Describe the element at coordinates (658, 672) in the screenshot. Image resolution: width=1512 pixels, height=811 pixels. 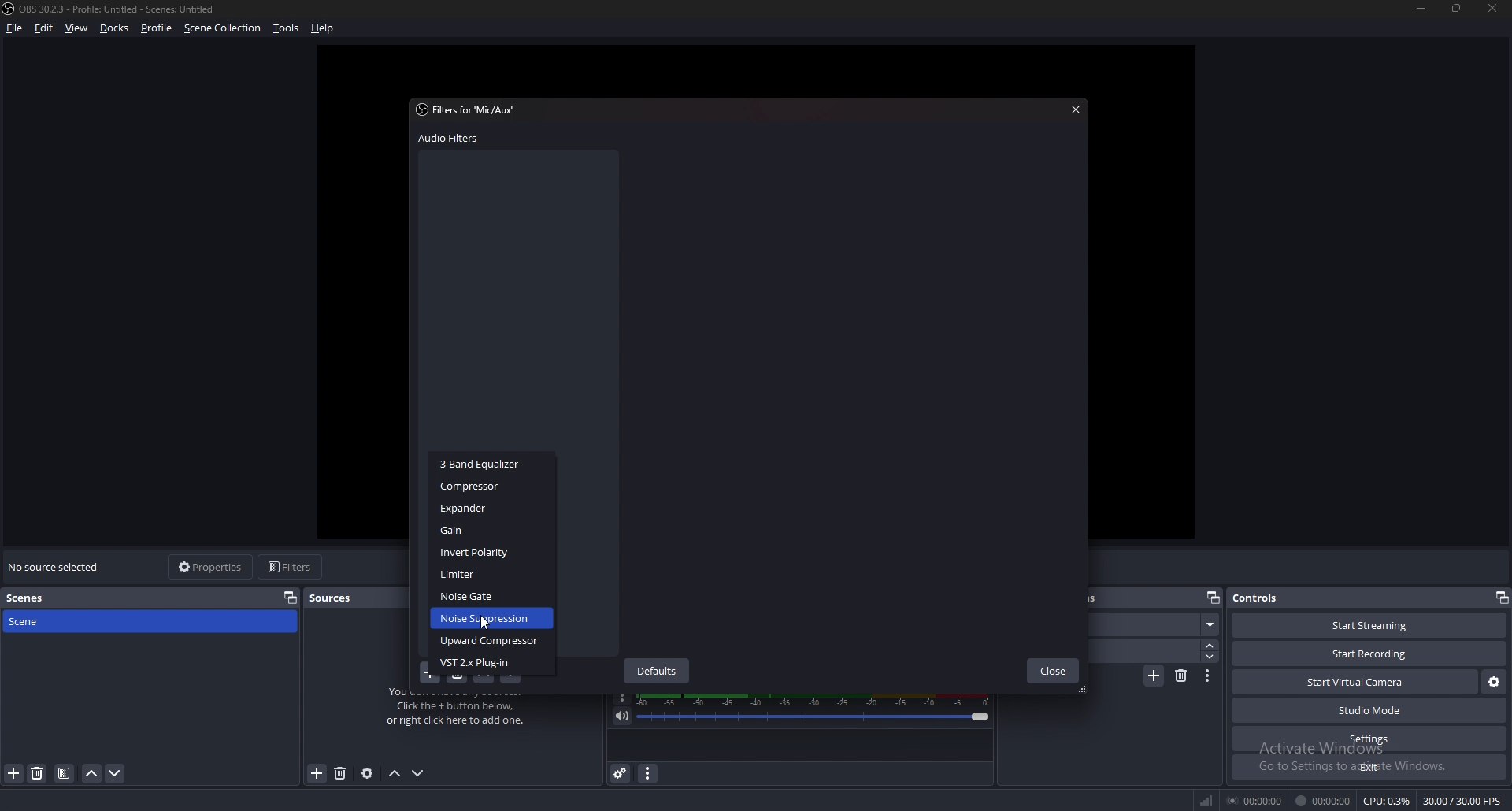
I see `defaults` at that location.